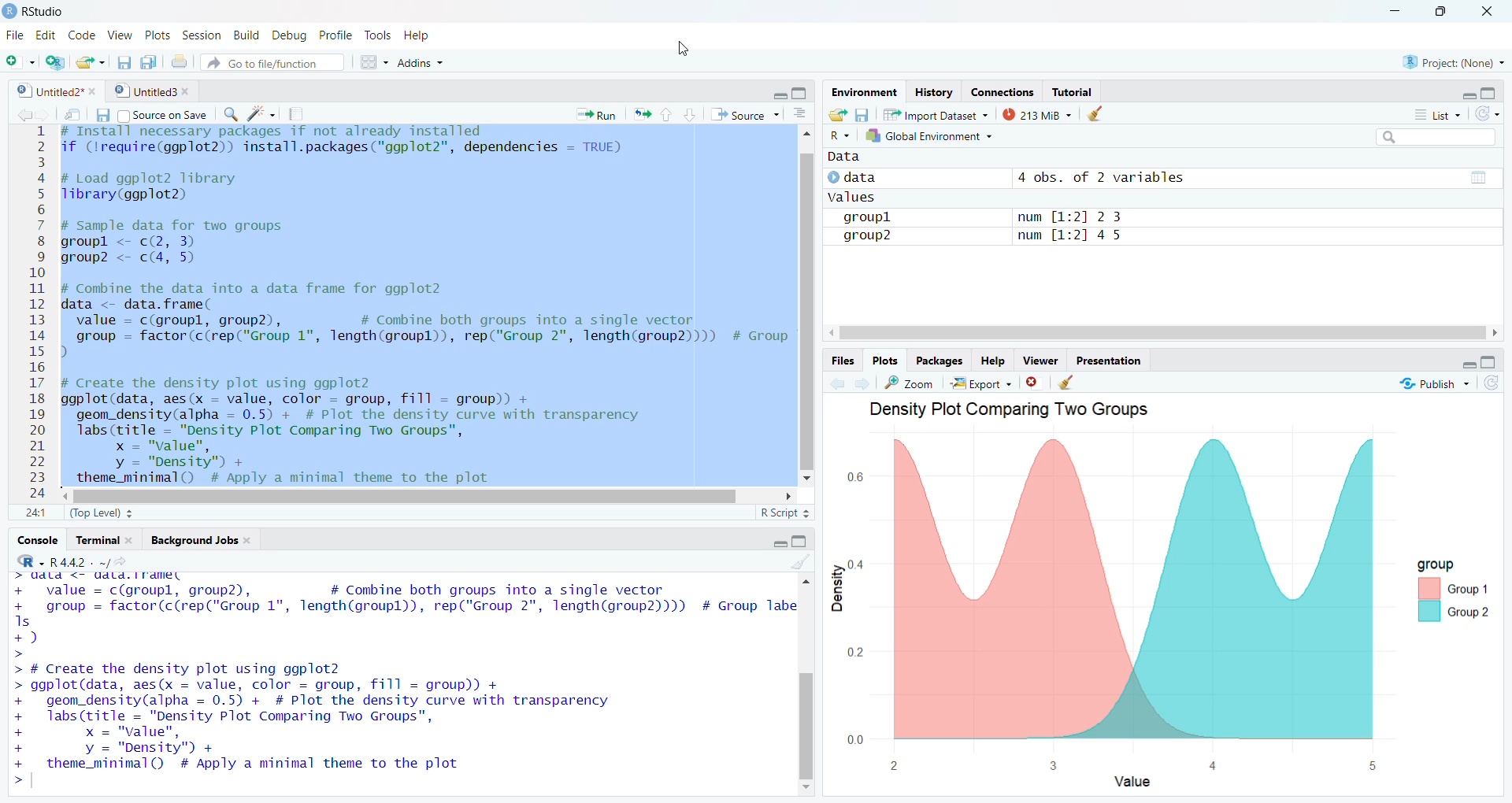 This screenshot has height=803, width=1512. Describe the element at coordinates (1074, 90) in the screenshot. I see `tutorial` at that location.